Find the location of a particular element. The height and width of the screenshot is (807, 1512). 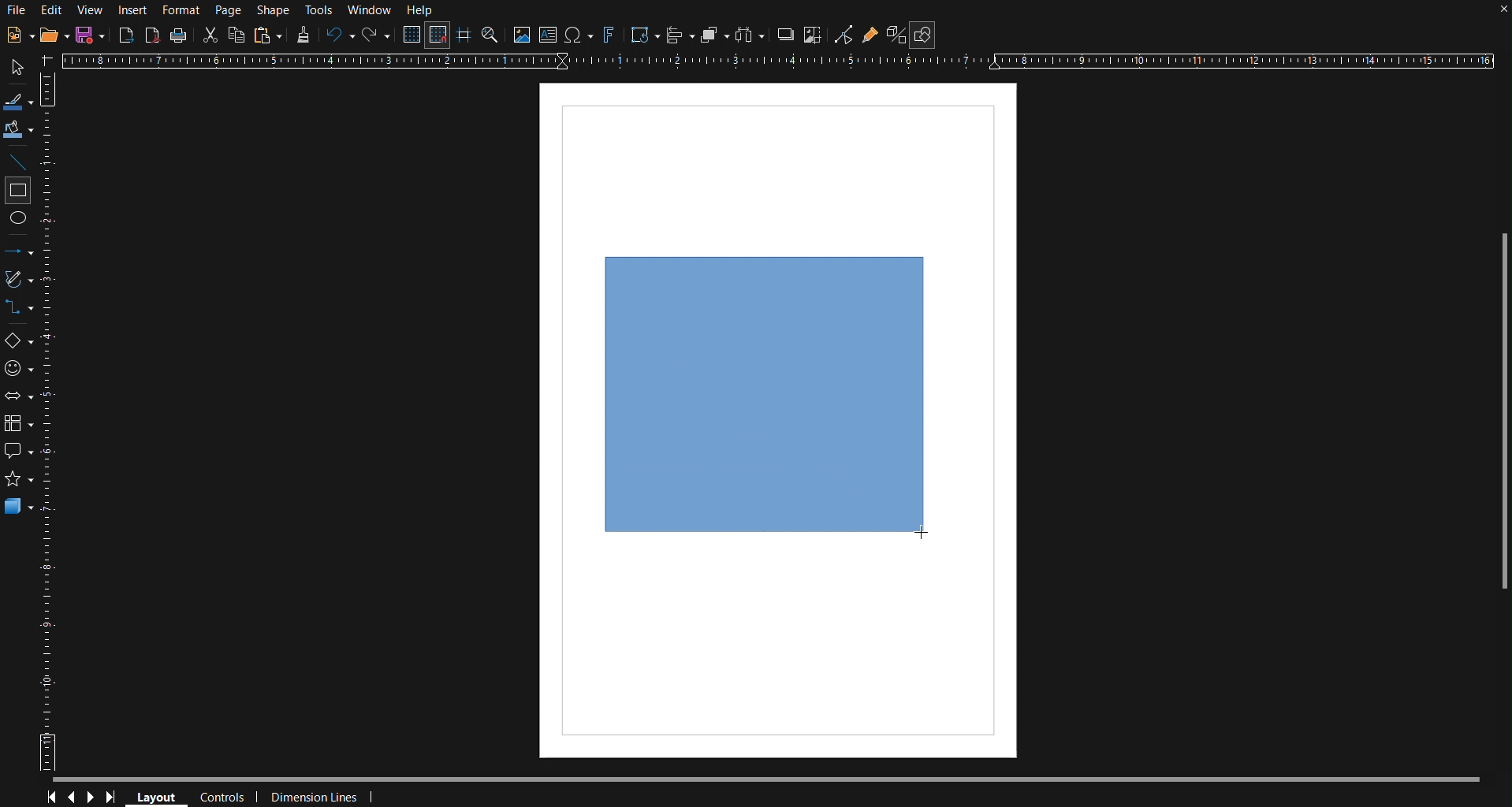

Shape is located at coordinates (274, 11).